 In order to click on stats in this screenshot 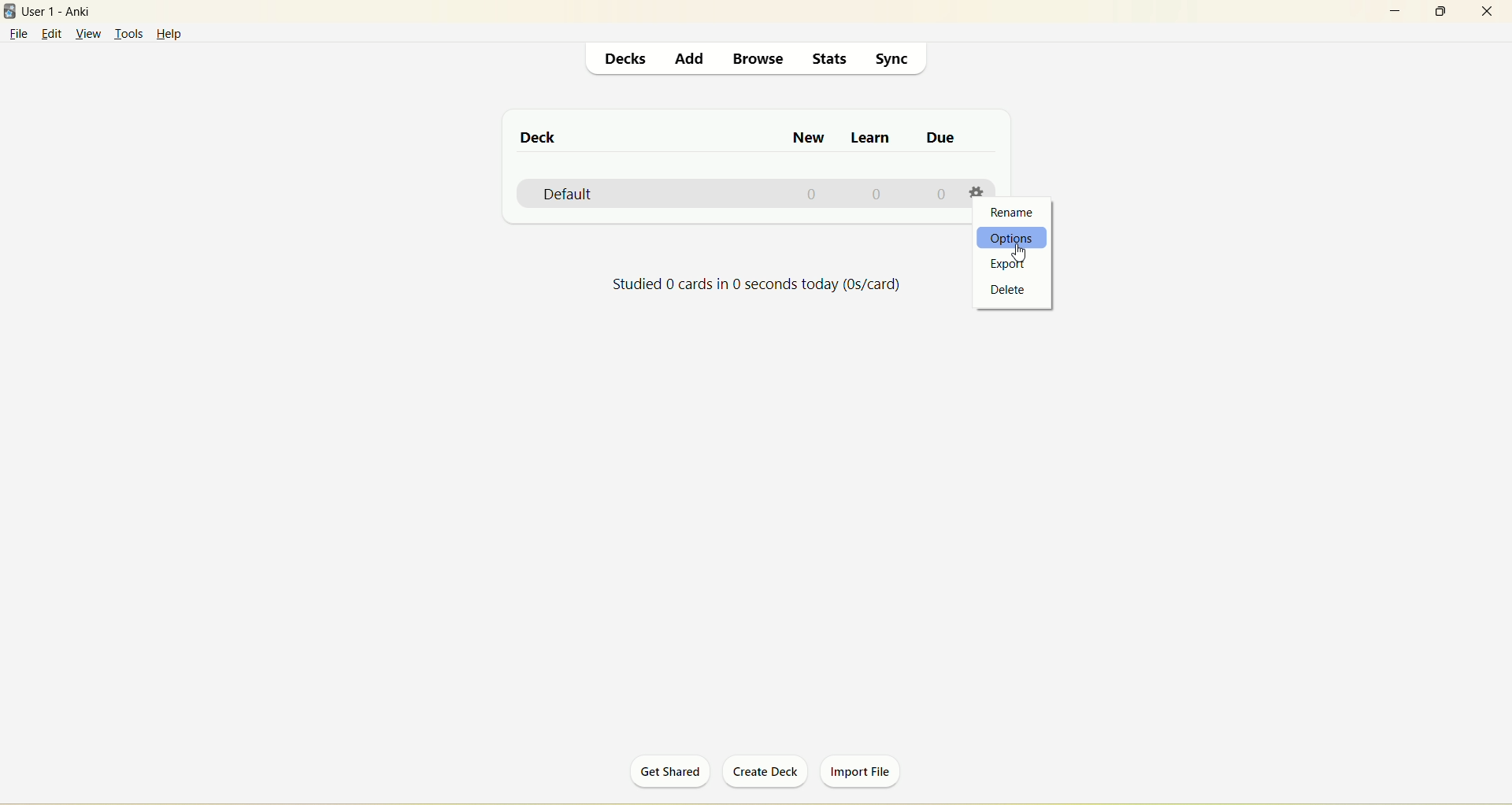, I will do `click(831, 58)`.